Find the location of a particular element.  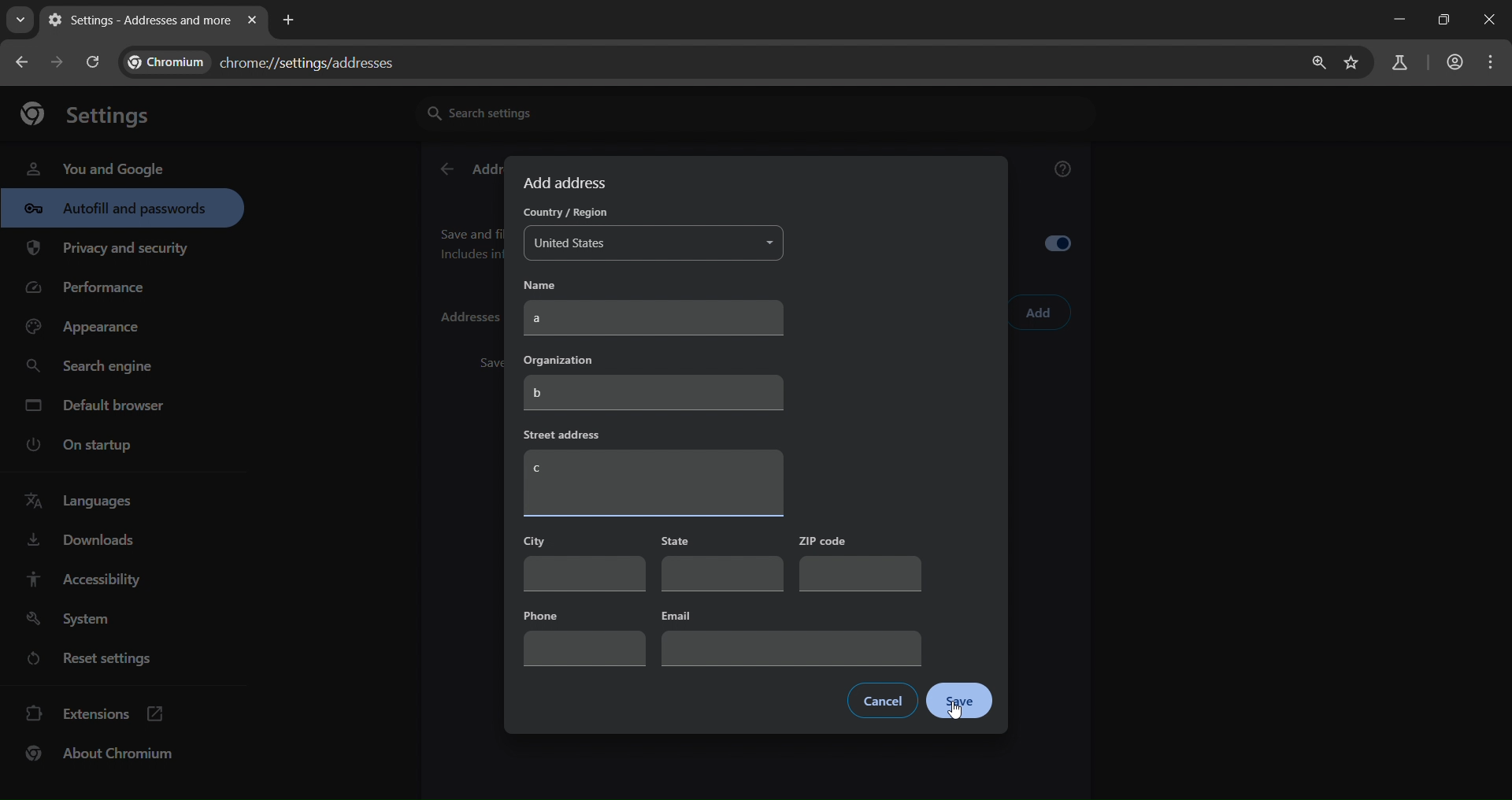

accessibility is located at coordinates (82, 579).